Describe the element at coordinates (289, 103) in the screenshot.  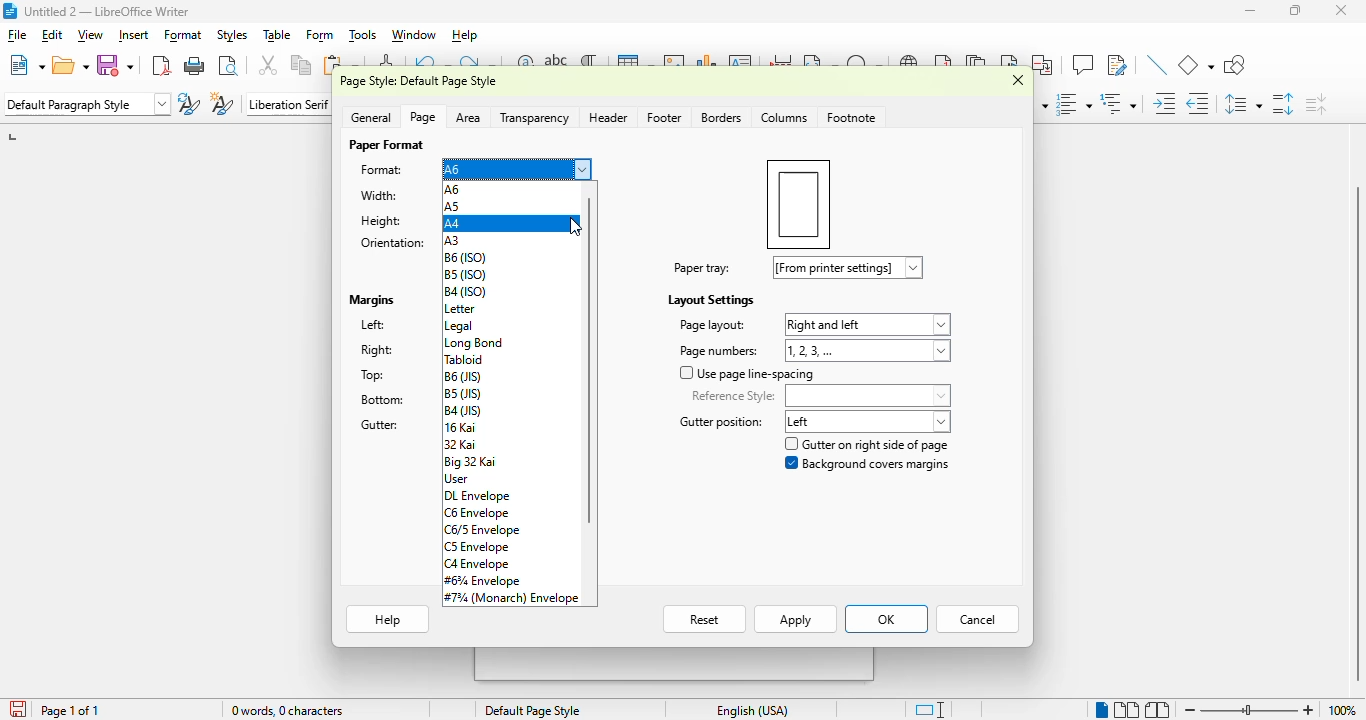
I see `font name` at that location.